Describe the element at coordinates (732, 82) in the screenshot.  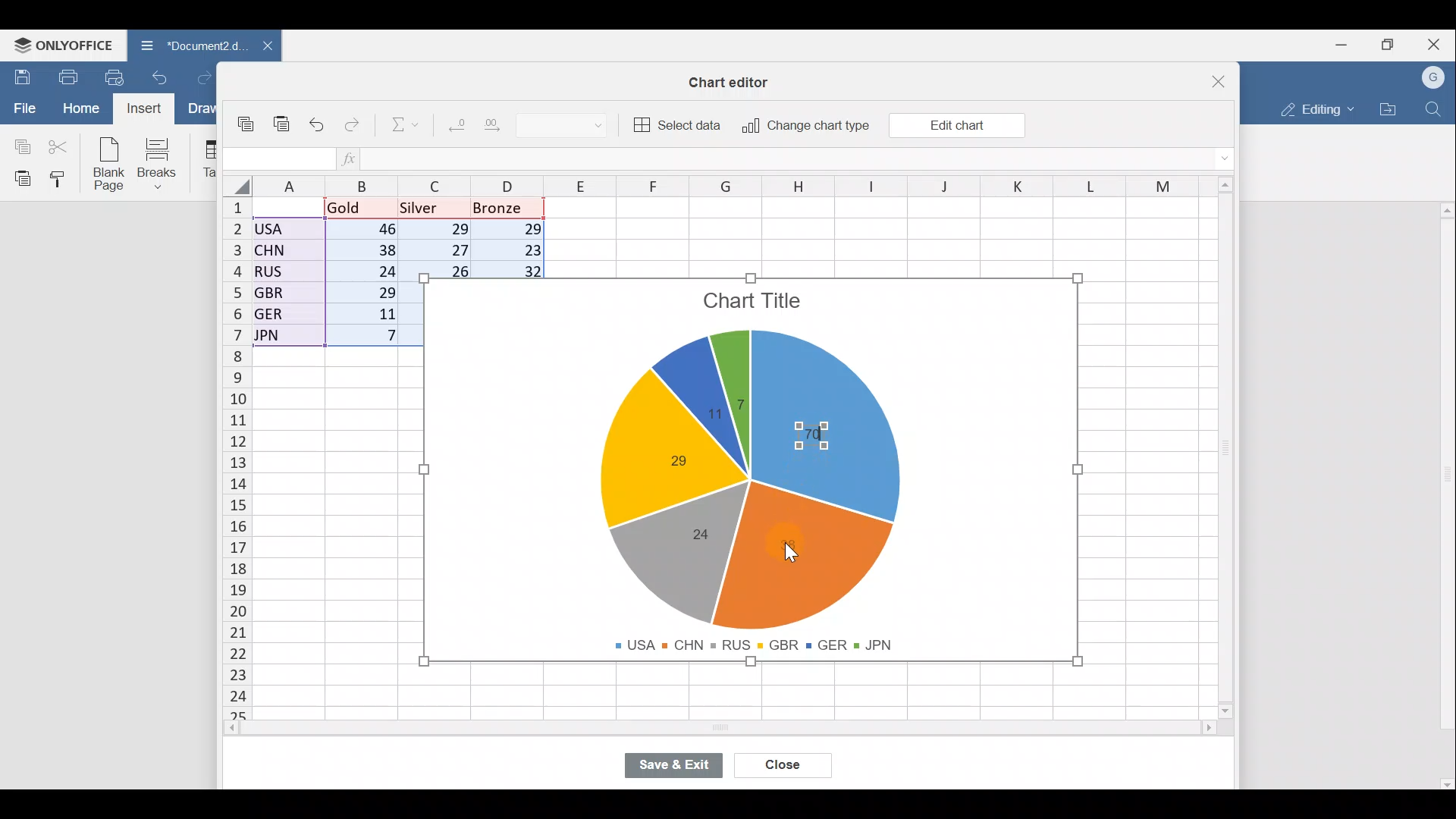
I see `Chart editor` at that location.